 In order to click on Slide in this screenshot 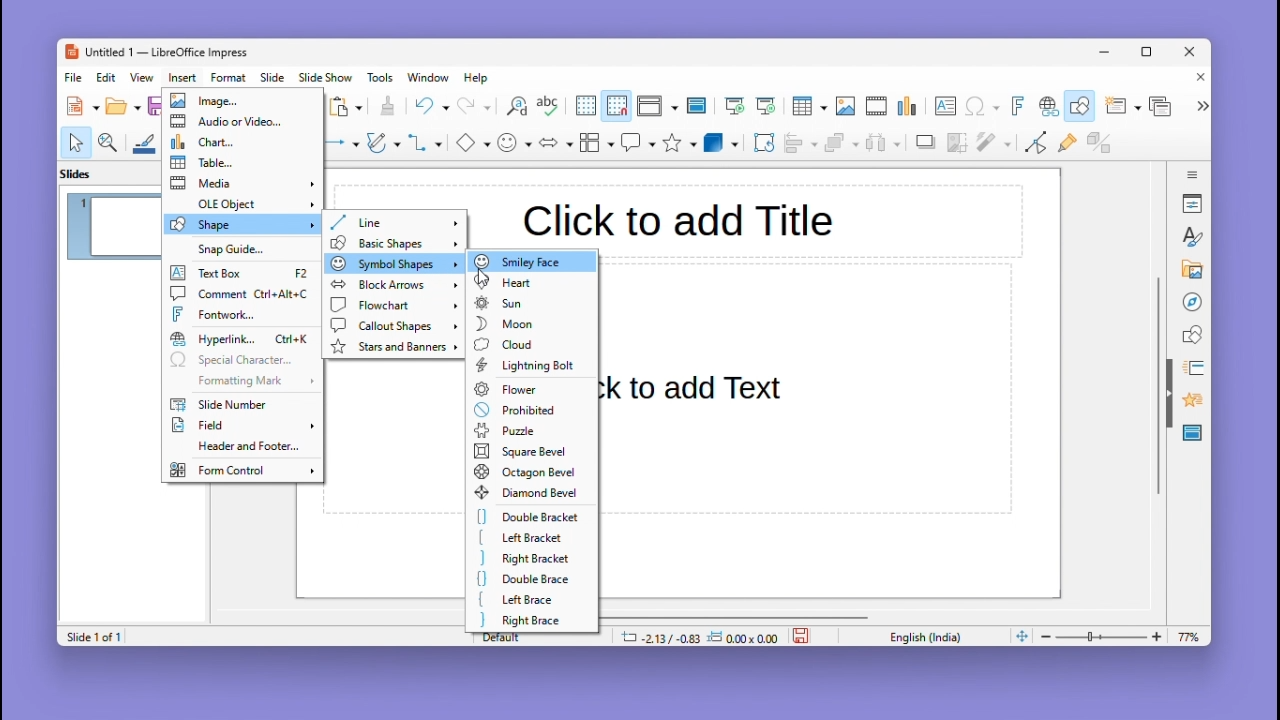, I will do `click(273, 77)`.